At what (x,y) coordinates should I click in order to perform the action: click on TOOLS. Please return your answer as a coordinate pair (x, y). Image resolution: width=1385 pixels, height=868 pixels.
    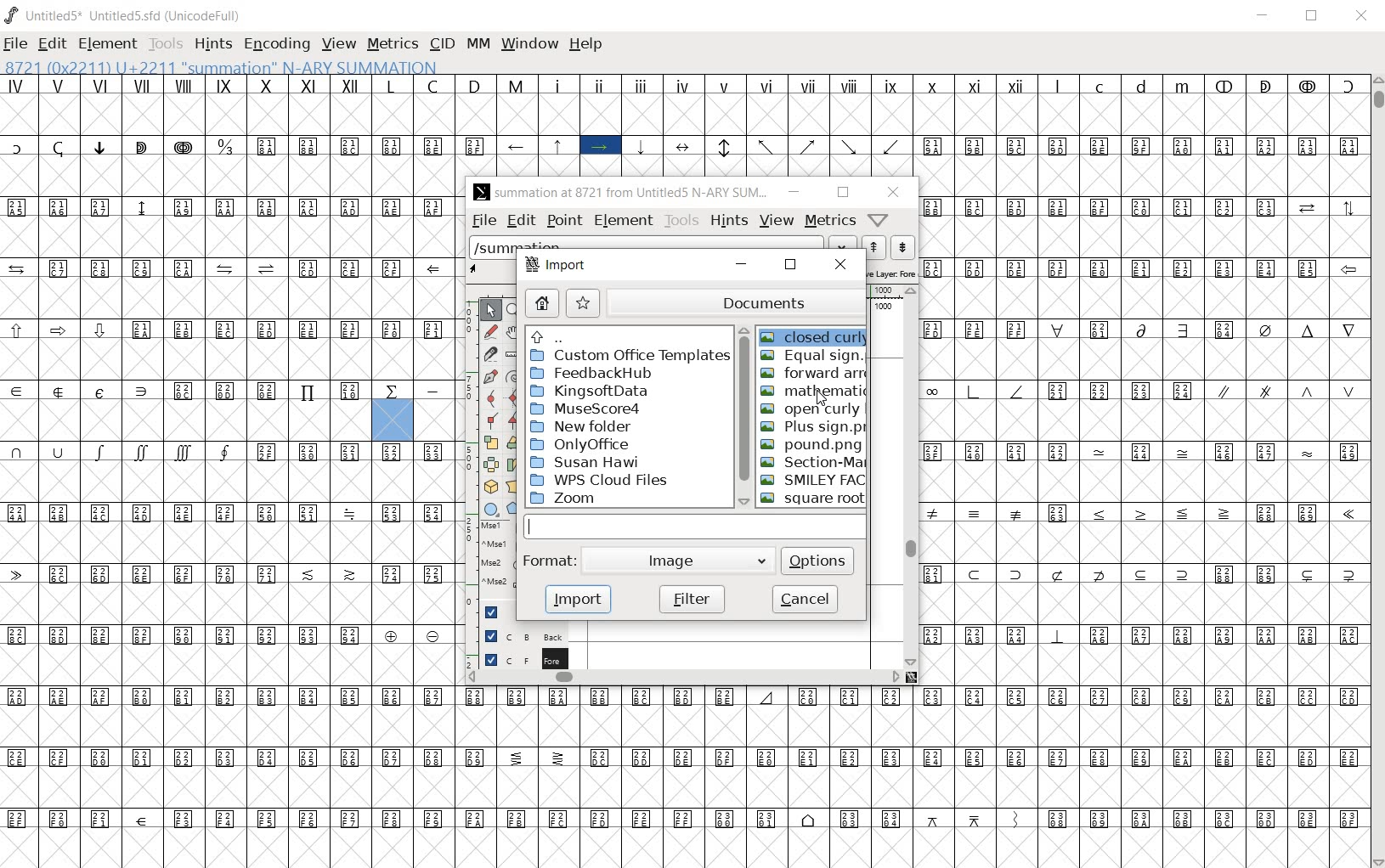
    Looking at the image, I should click on (164, 42).